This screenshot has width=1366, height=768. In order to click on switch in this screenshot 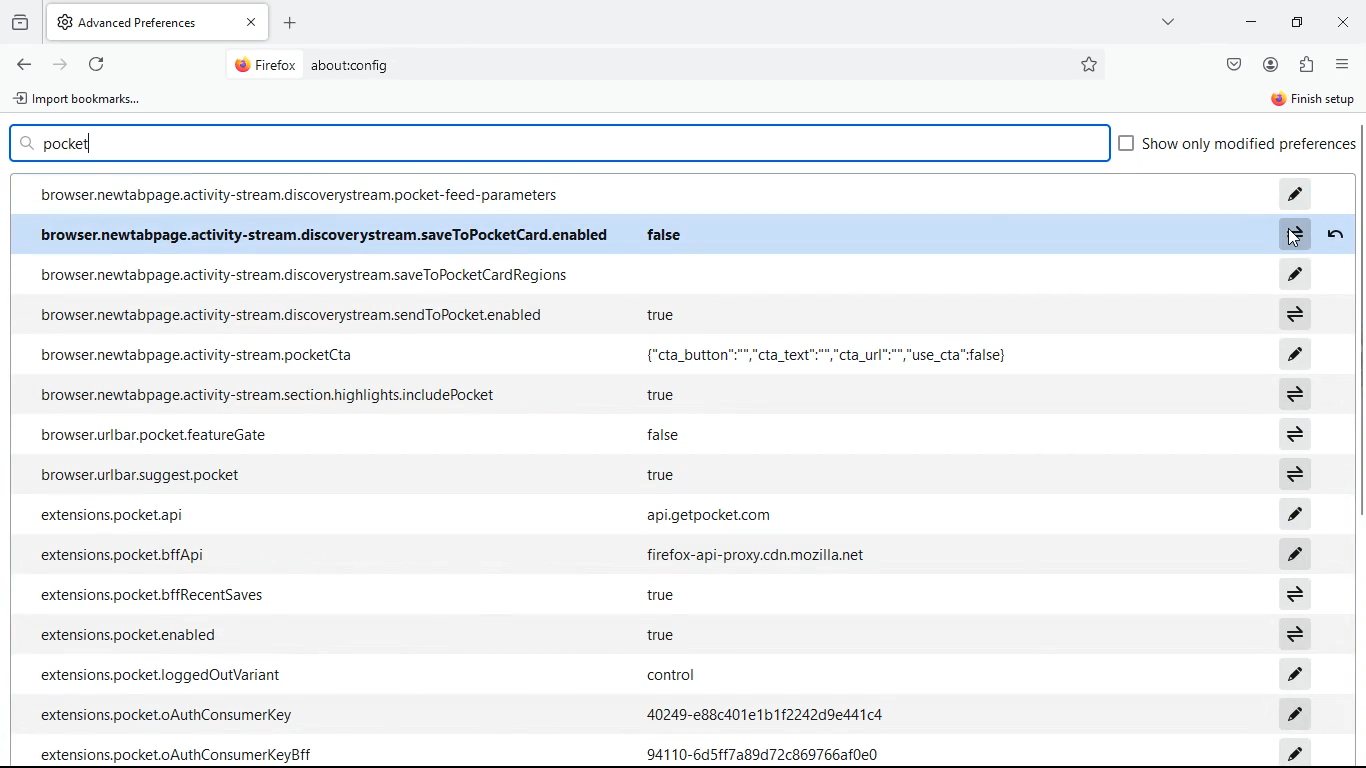, I will do `click(1297, 633)`.